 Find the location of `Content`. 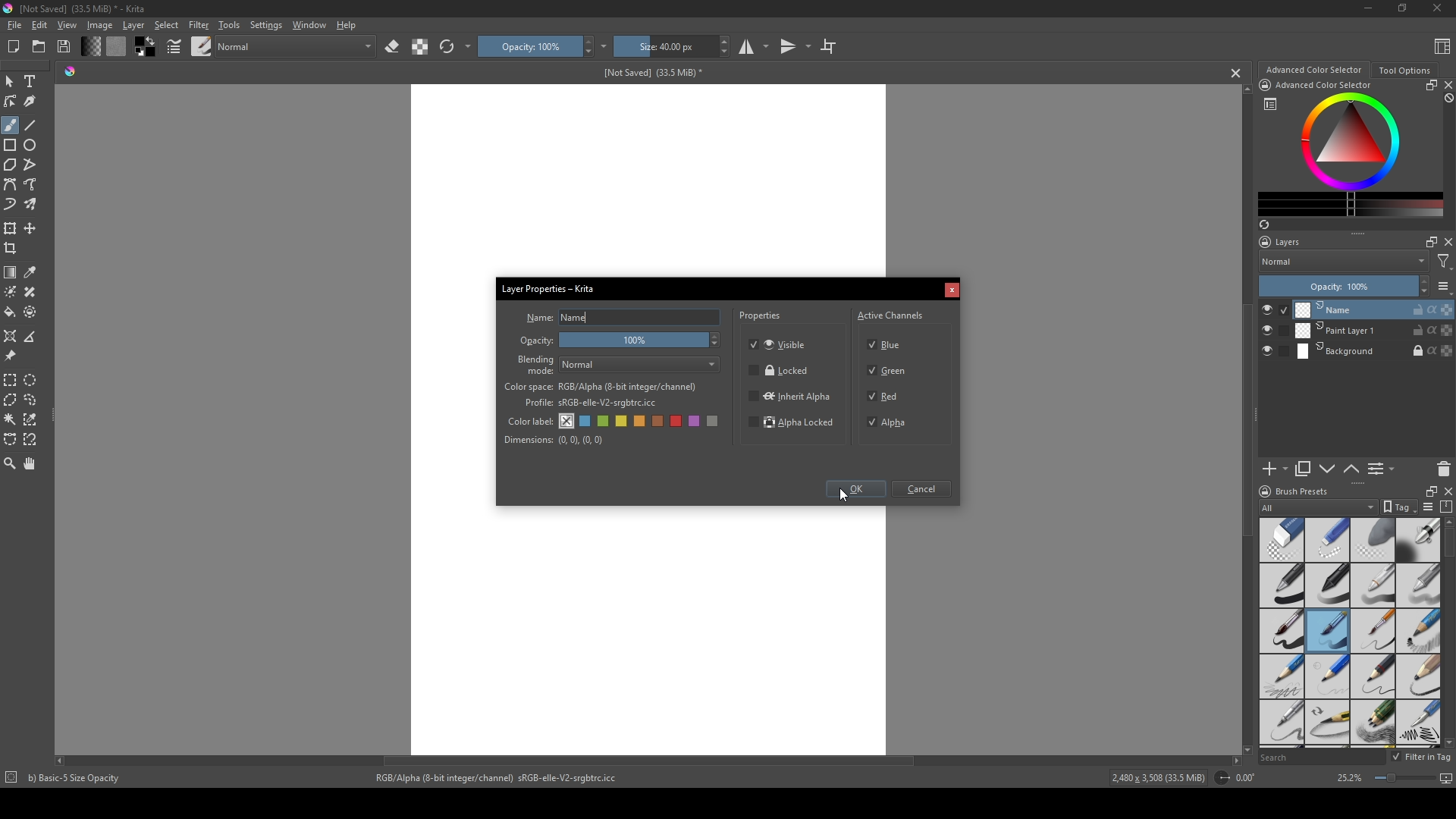

Content is located at coordinates (1442, 45).